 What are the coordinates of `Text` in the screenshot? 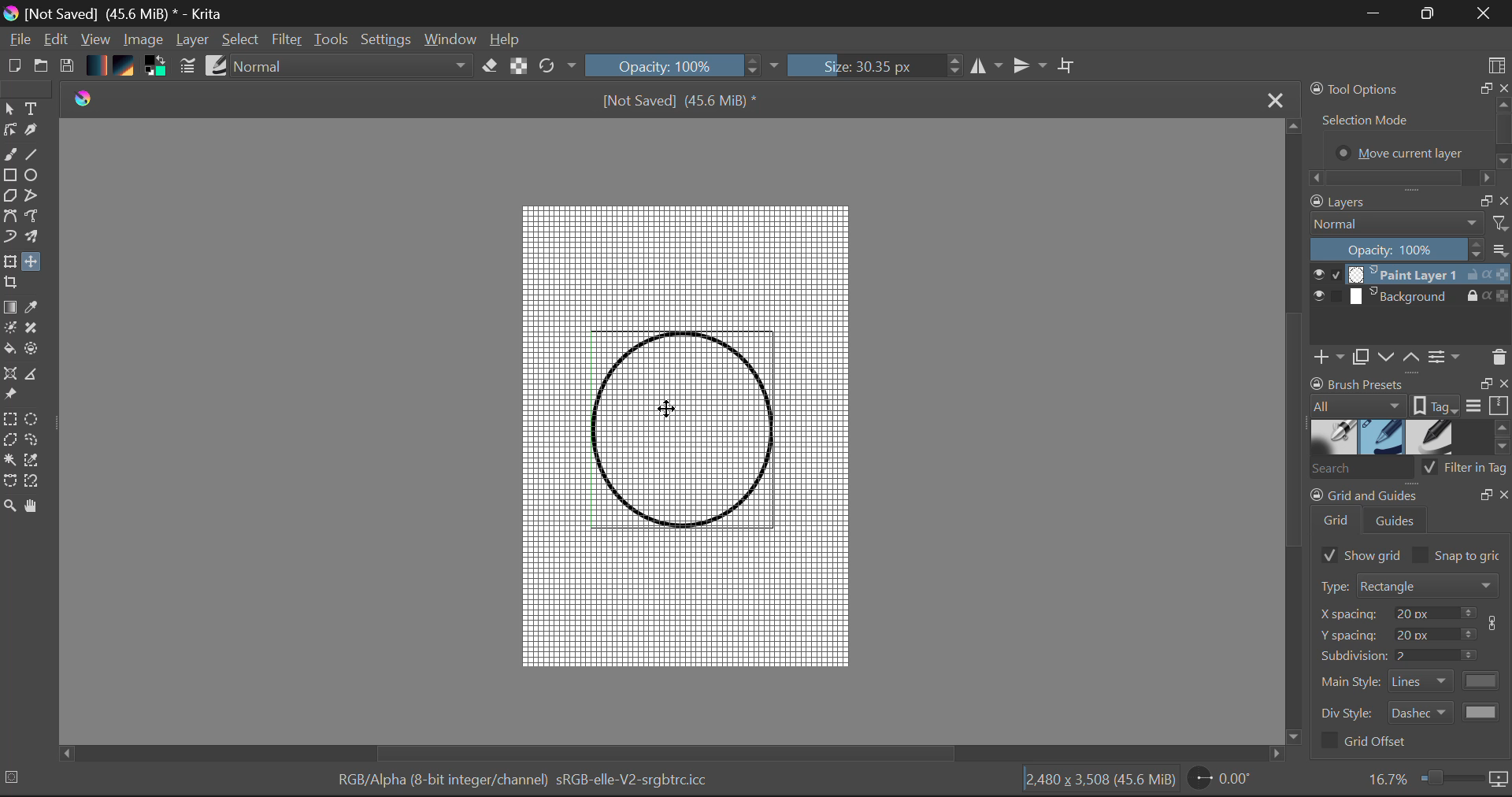 It's located at (32, 108).